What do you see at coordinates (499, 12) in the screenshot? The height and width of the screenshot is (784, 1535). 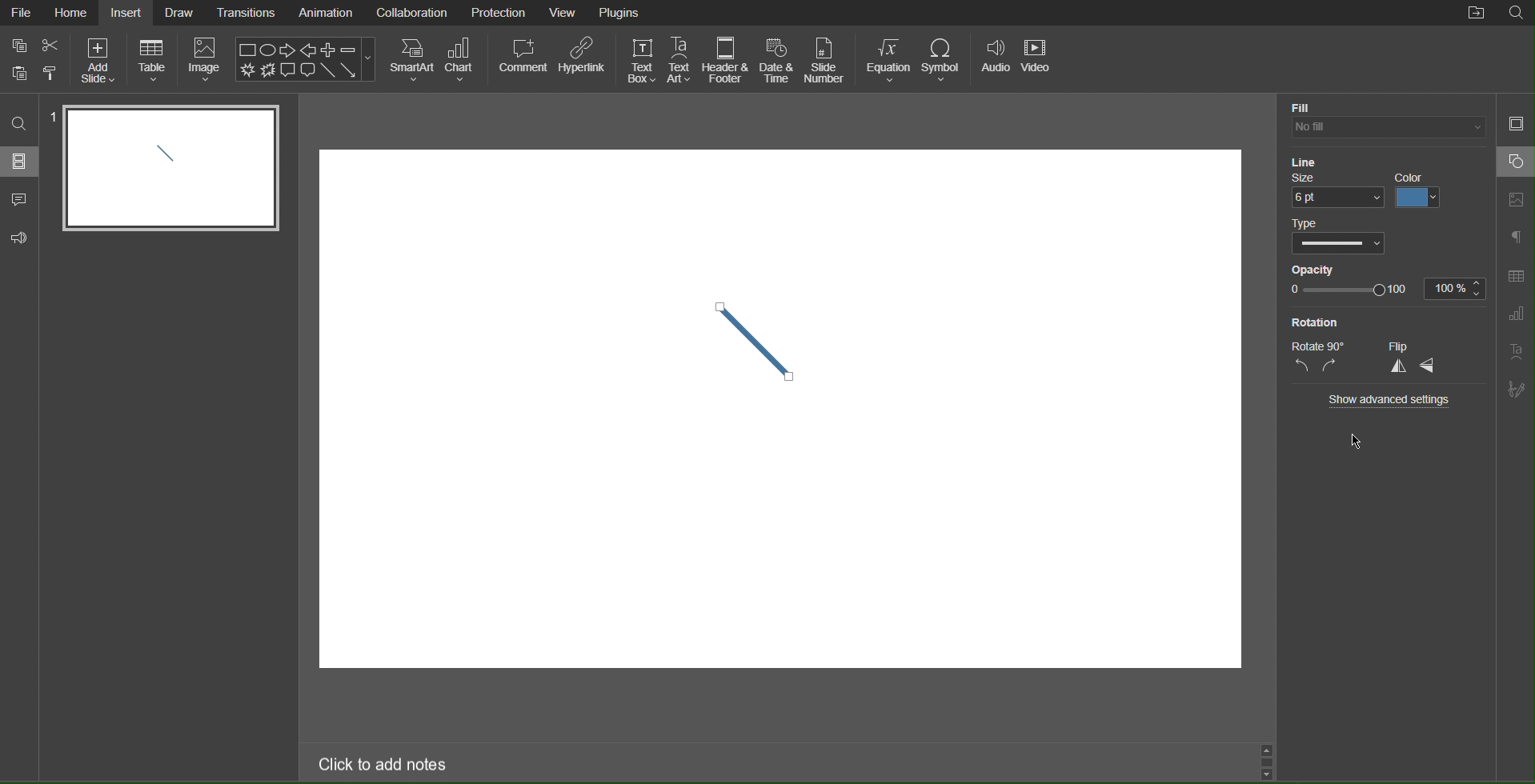 I see `Protection` at bounding box center [499, 12].